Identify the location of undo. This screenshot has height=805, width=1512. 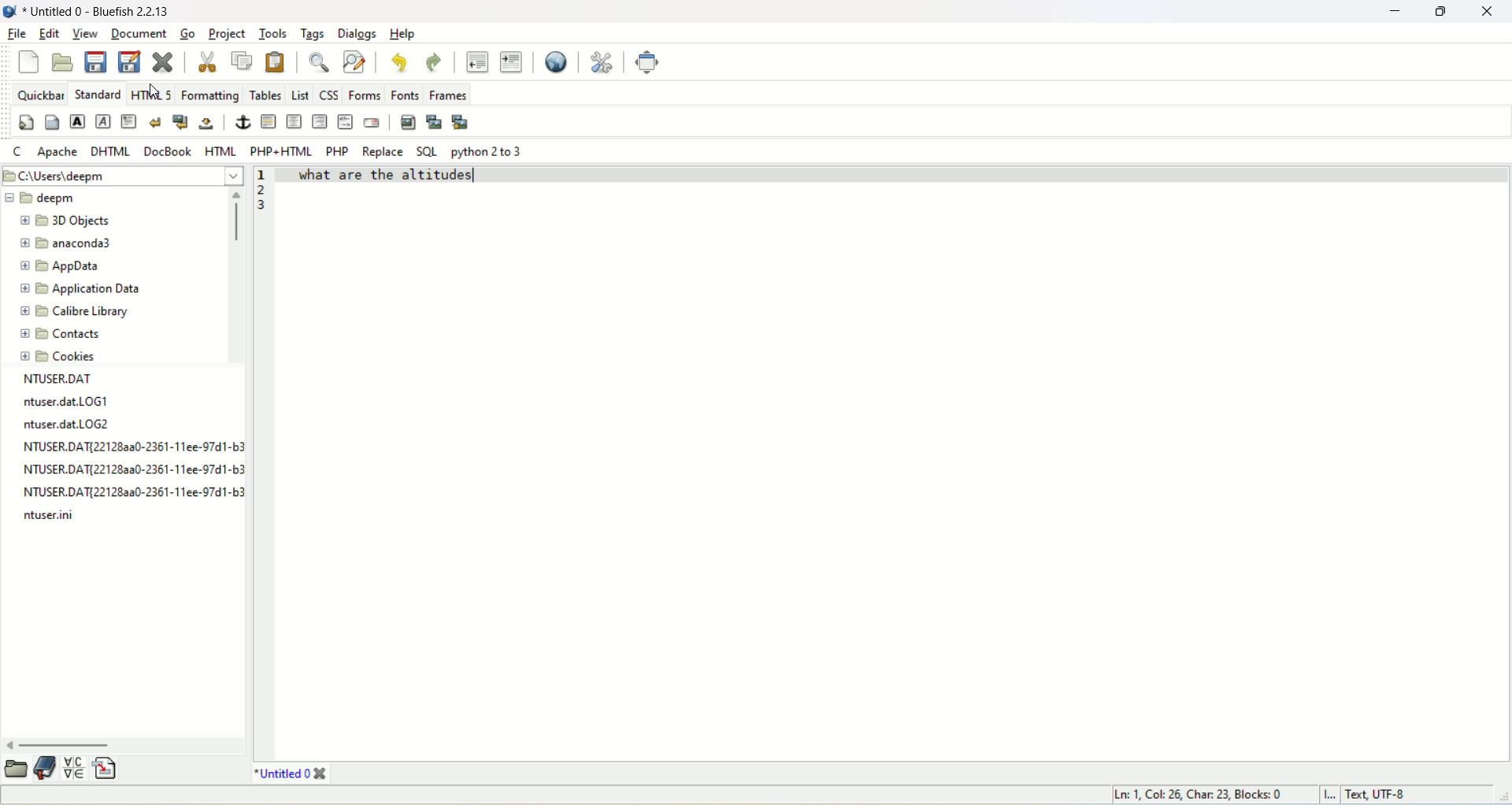
(398, 63).